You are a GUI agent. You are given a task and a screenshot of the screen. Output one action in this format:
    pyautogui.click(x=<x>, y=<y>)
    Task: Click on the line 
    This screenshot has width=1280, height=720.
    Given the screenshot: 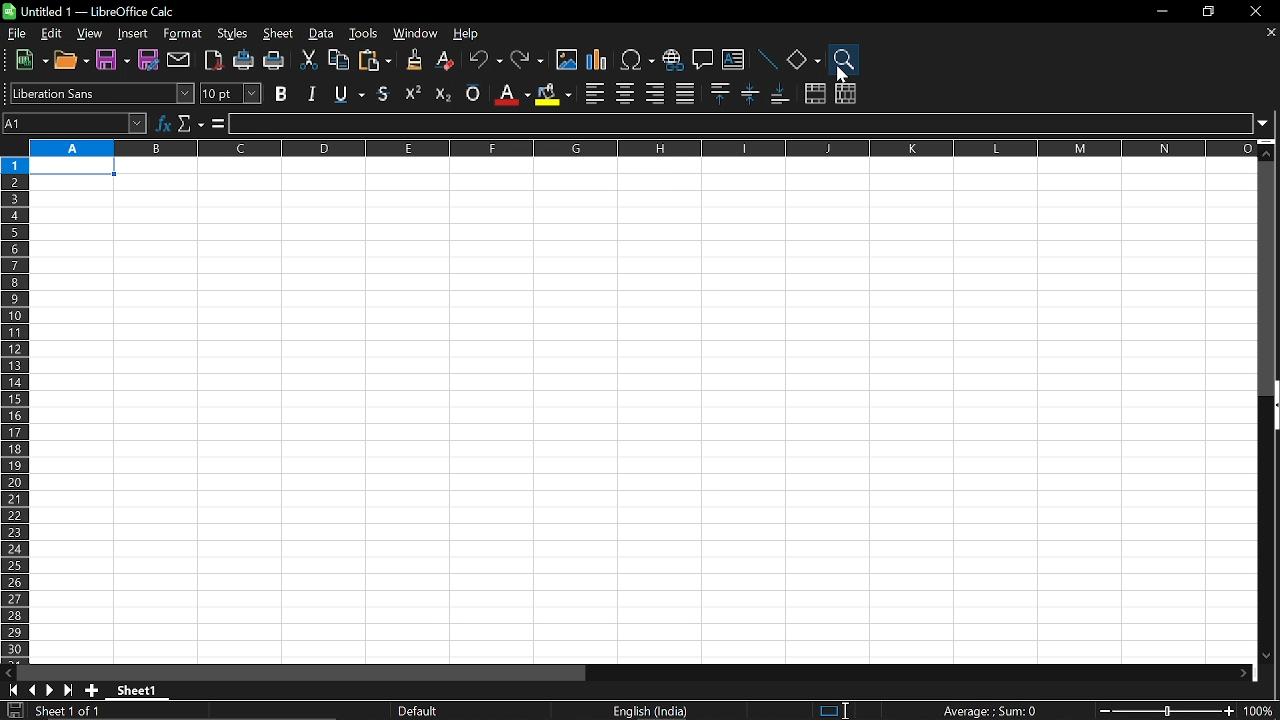 What is the action you would take?
    pyautogui.click(x=766, y=61)
    